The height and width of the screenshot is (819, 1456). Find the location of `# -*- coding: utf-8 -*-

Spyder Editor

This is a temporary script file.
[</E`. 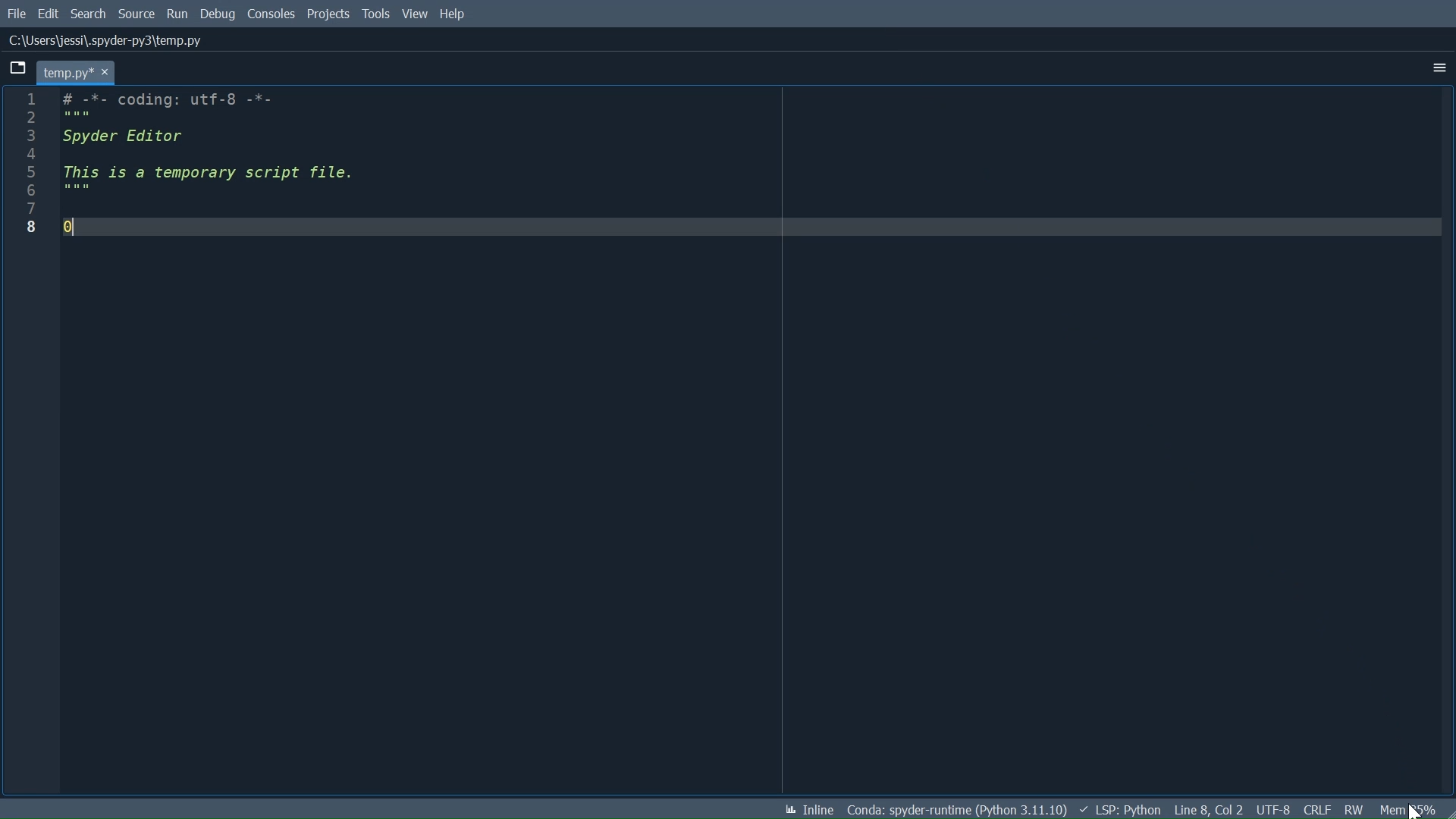

# -*- coding: utf-8 -*-

Spyder Editor

This is a temporary script file.
[</E is located at coordinates (751, 169).